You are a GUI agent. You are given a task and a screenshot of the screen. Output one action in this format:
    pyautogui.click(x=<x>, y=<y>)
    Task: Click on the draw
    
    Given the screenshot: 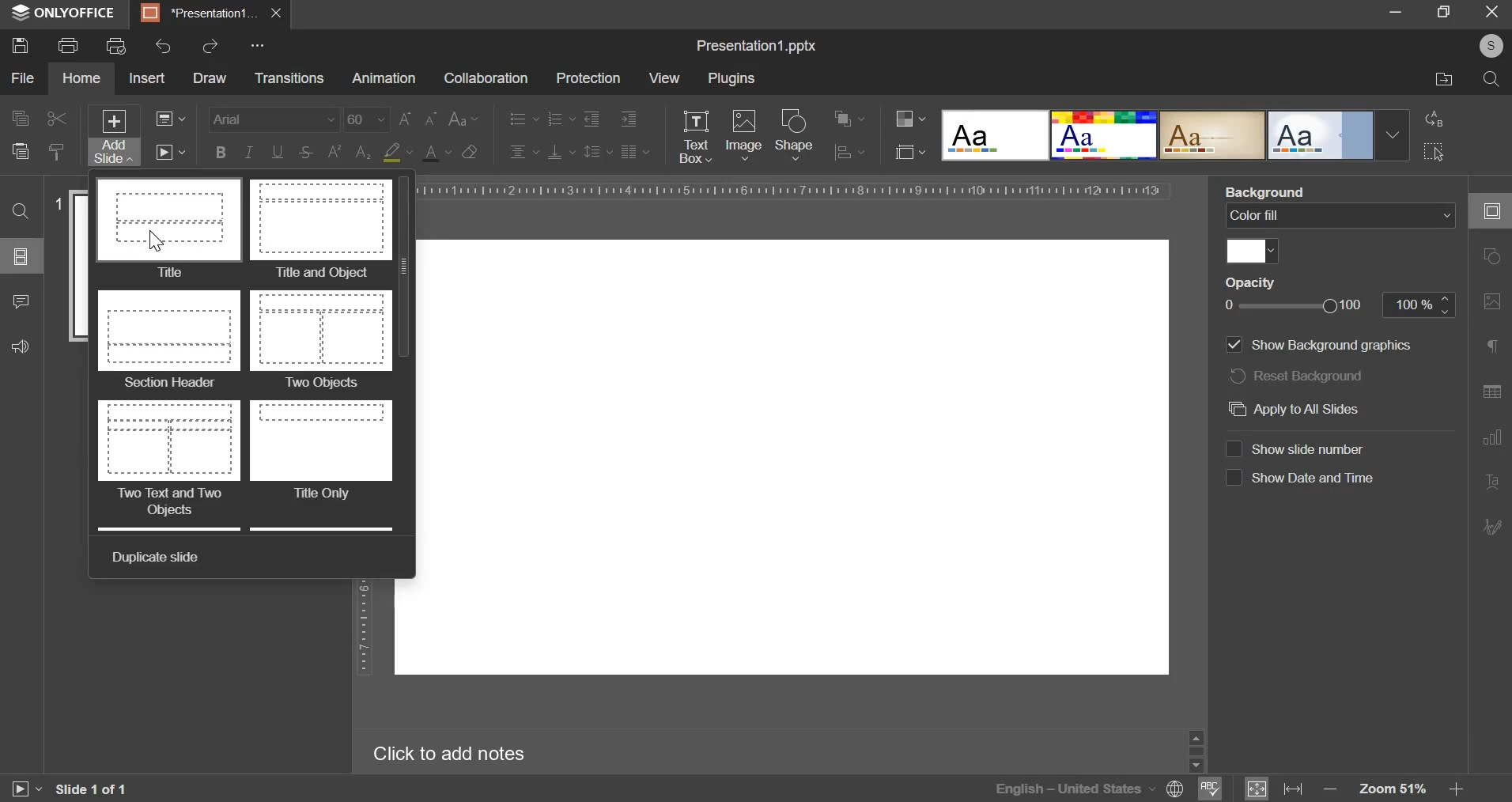 What is the action you would take?
    pyautogui.click(x=209, y=78)
    